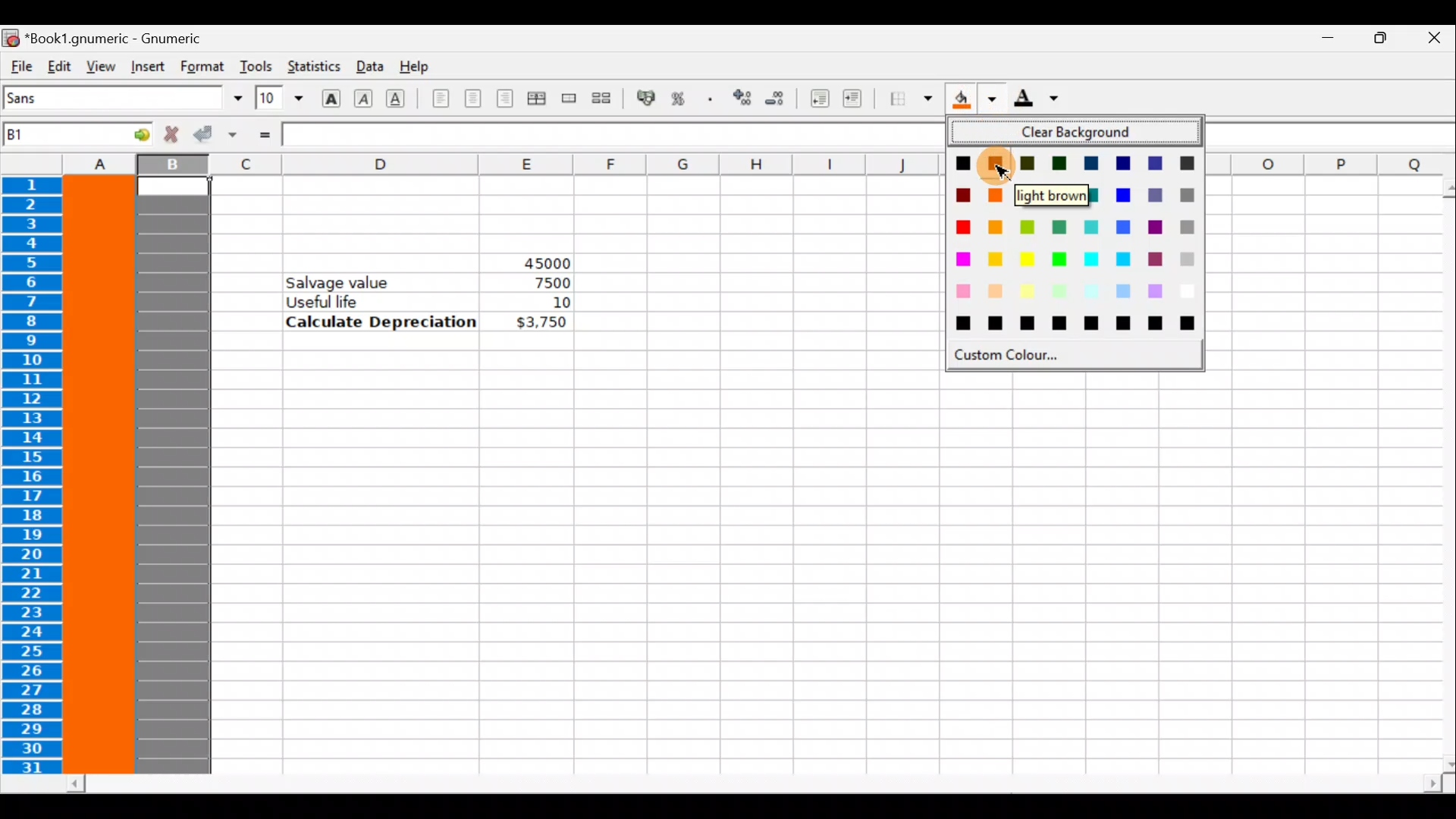  What do you see at coordinates (256, 66) in the screenshot?
I see `Tools` at bounding box center [256, 66].